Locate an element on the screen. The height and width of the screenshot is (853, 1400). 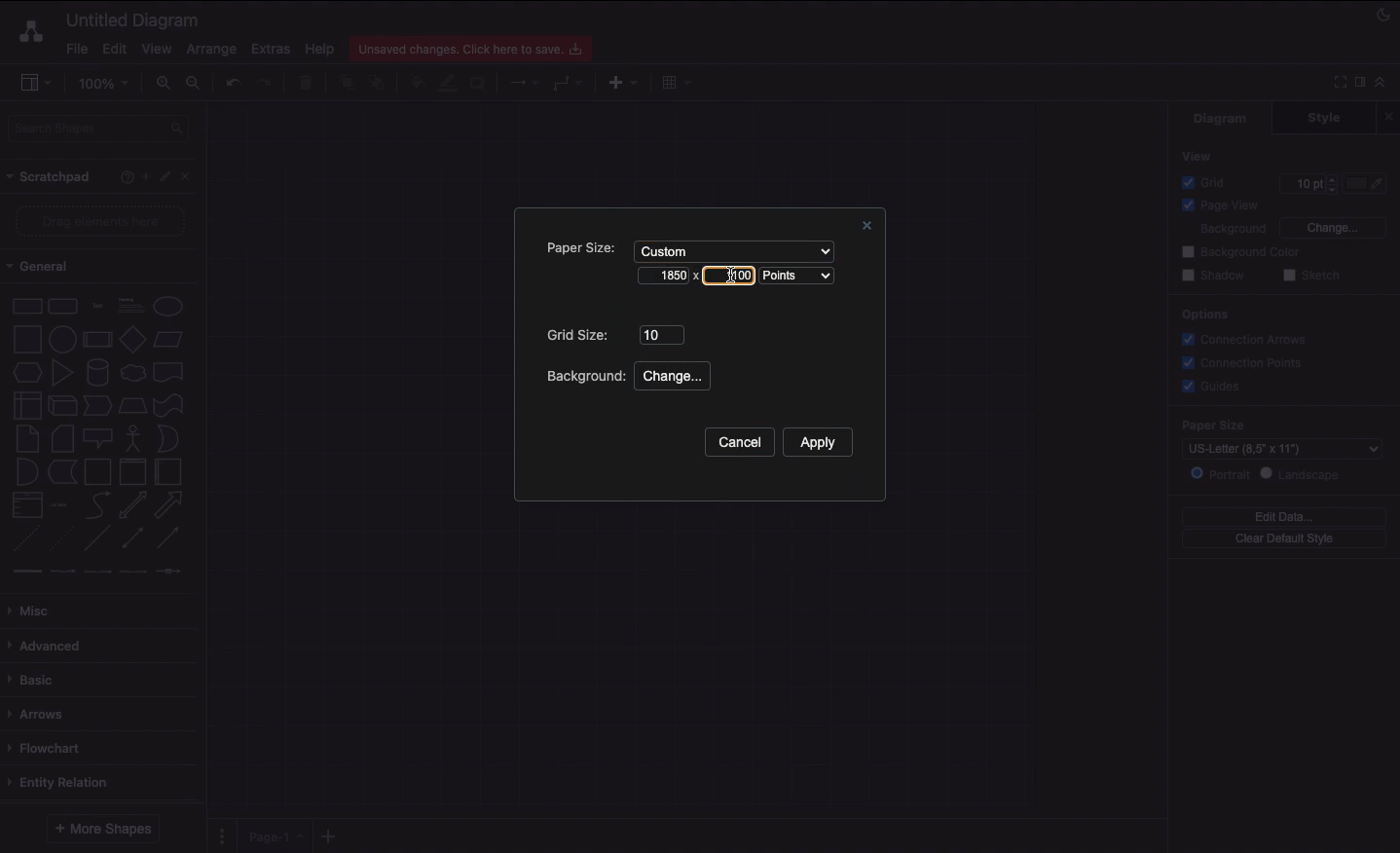
Horizontal container is located at coordinates (169, 471).